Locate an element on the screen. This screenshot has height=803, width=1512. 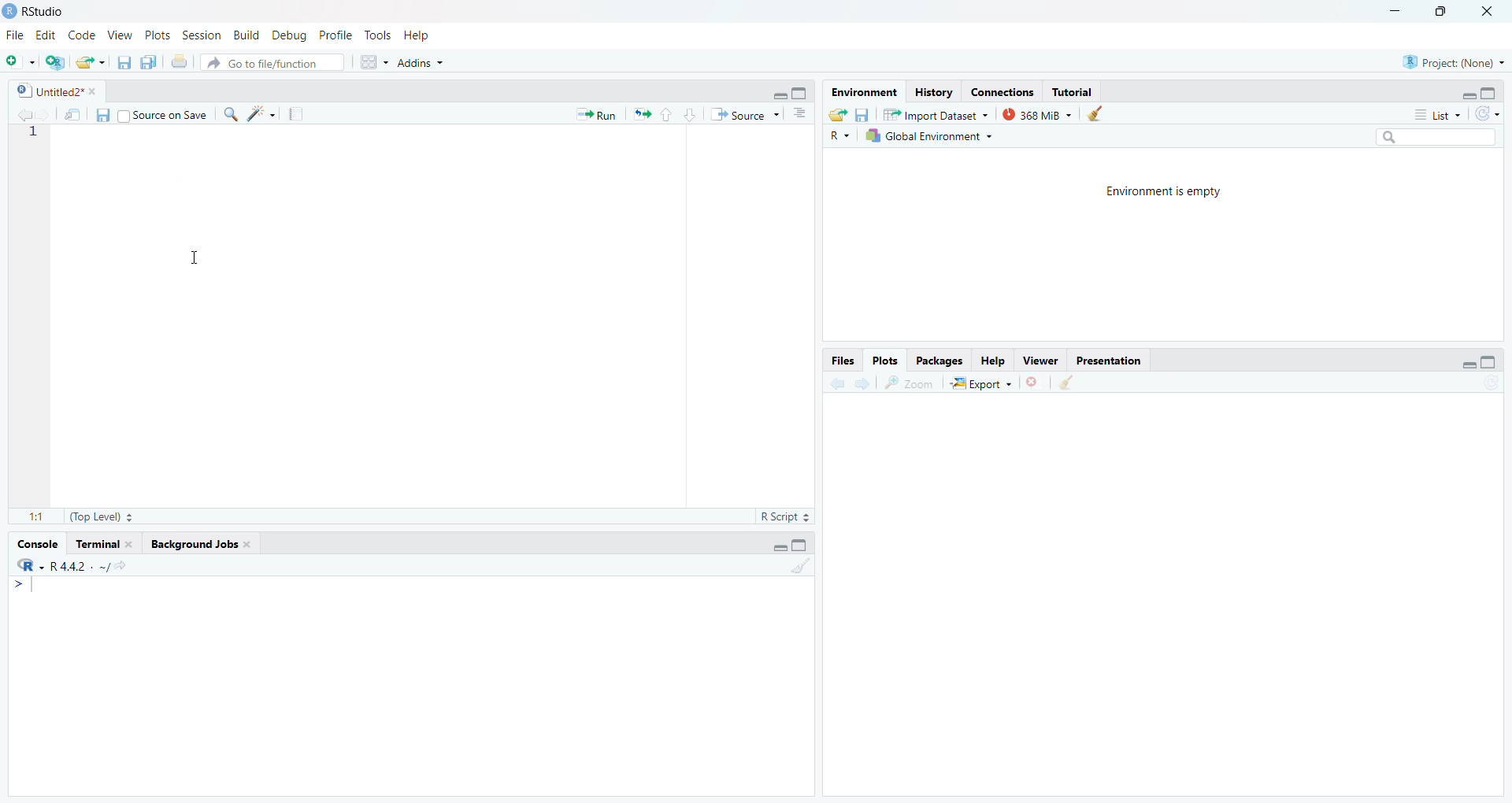
minimise is located at coordinates (775, 545).